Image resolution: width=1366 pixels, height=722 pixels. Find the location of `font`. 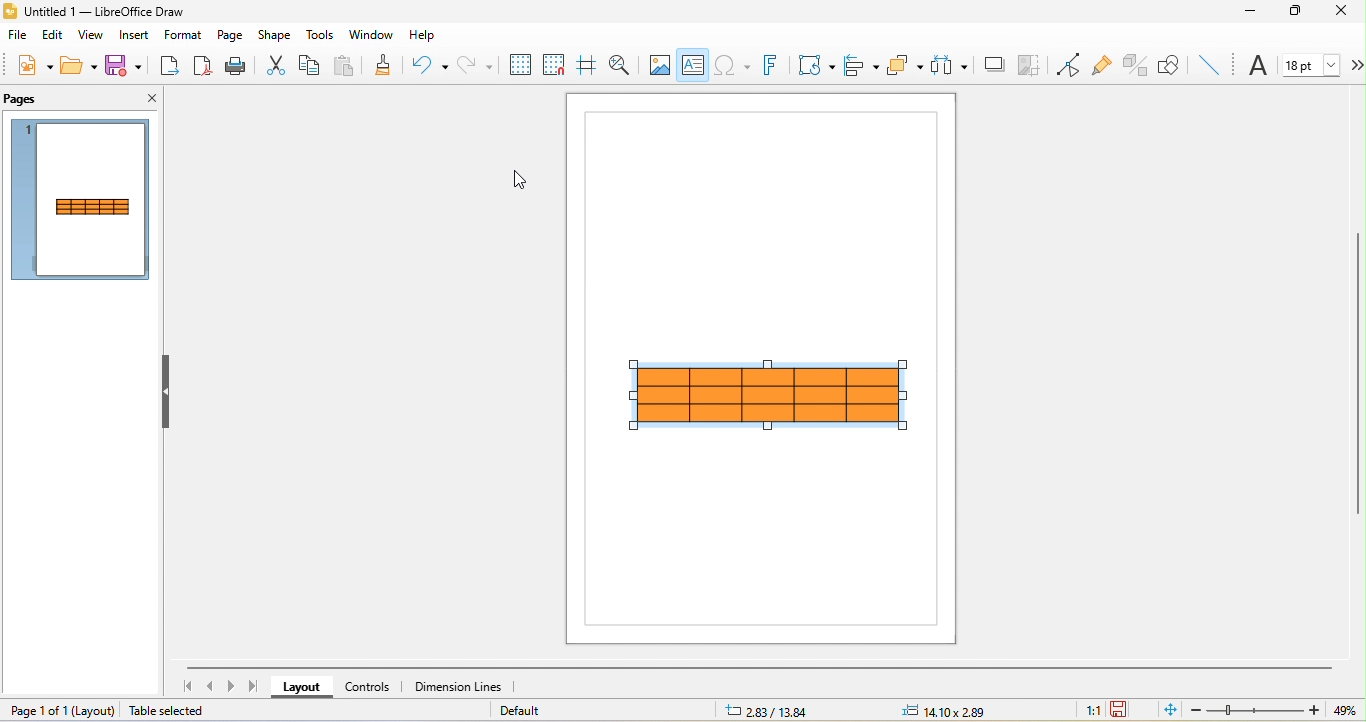

font is located at coordinates (1258, 67).